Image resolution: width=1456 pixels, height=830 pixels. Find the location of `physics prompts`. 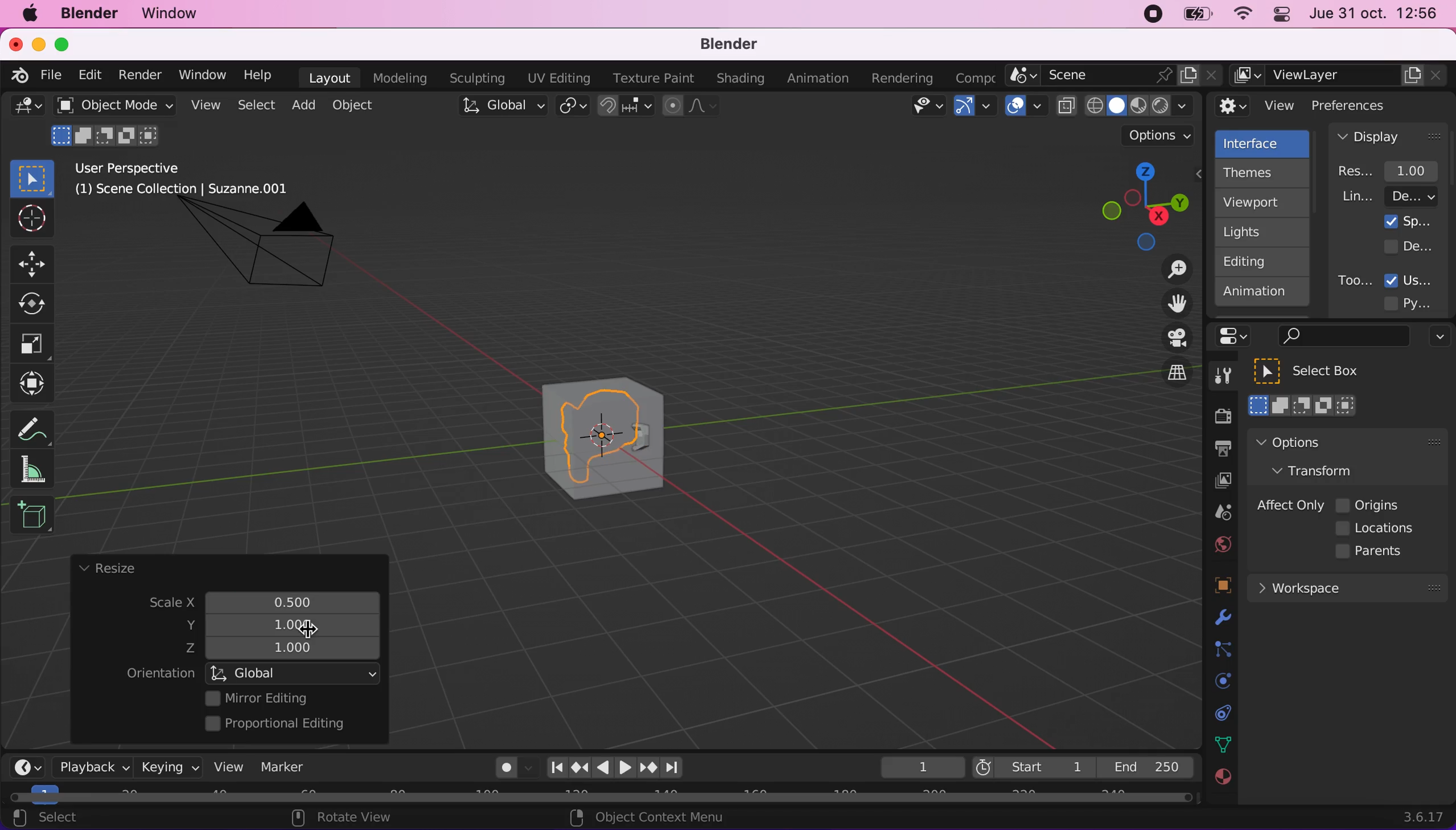

physics prompts is located at coordinates (1216, 682).